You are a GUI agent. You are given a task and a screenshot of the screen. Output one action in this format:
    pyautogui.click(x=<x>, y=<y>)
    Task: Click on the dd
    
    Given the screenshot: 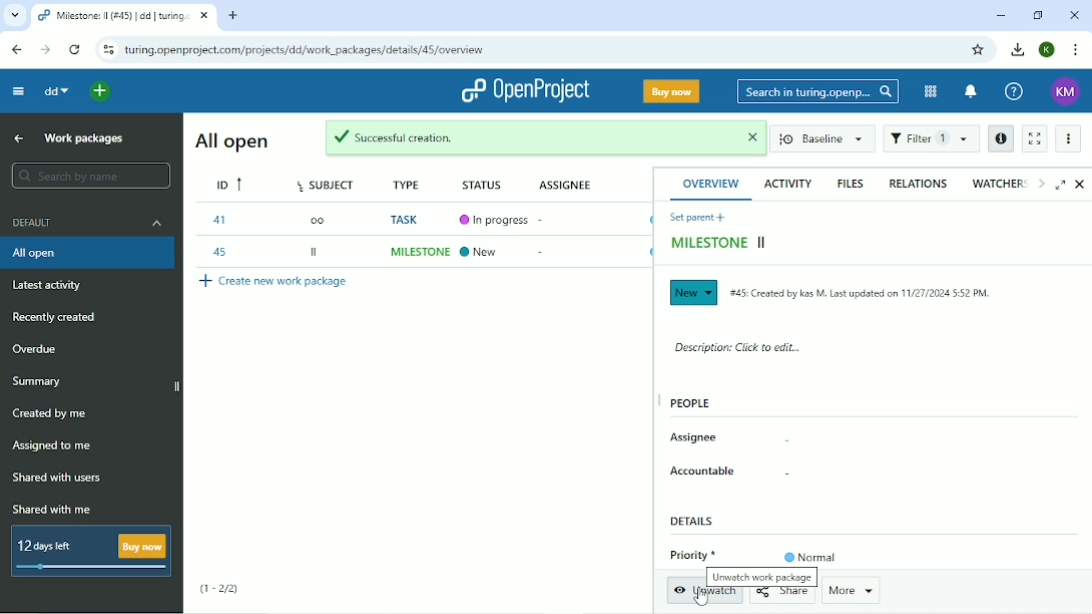 What is the action you would take?
    pyautogui.click(x=57, y=91)
    